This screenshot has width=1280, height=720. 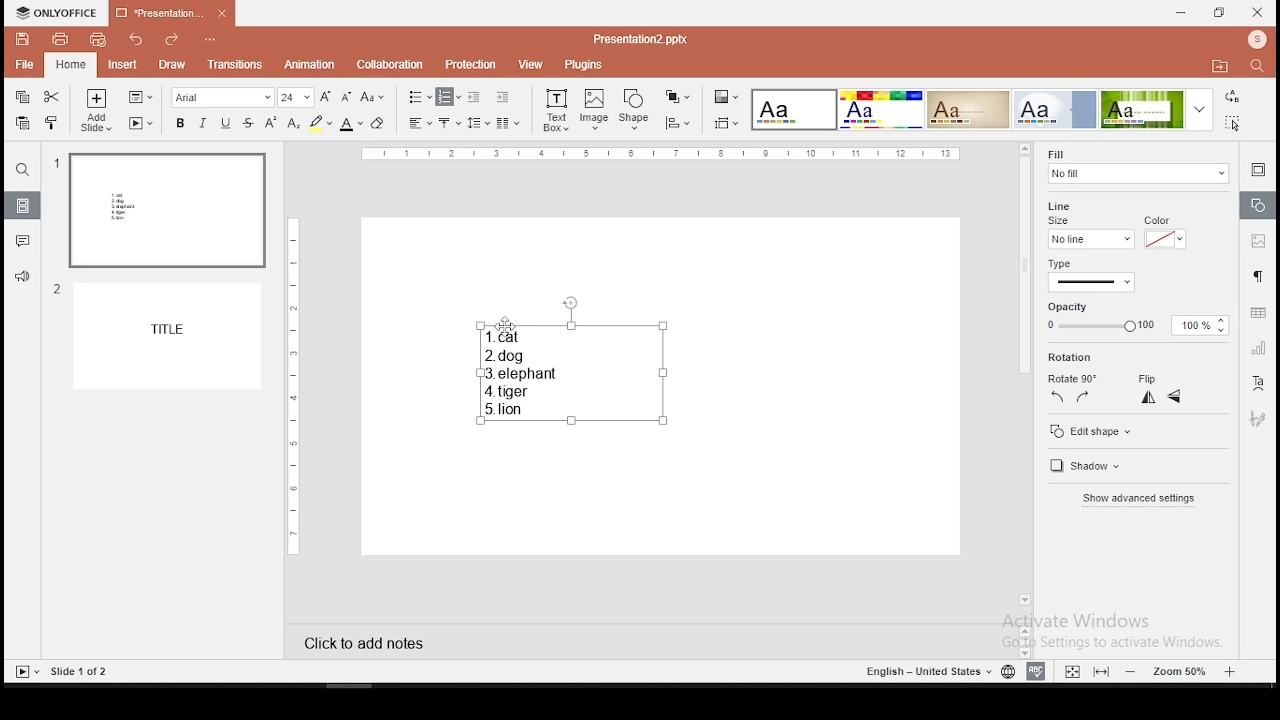 I want to click on save, so click(x=22, y=38).